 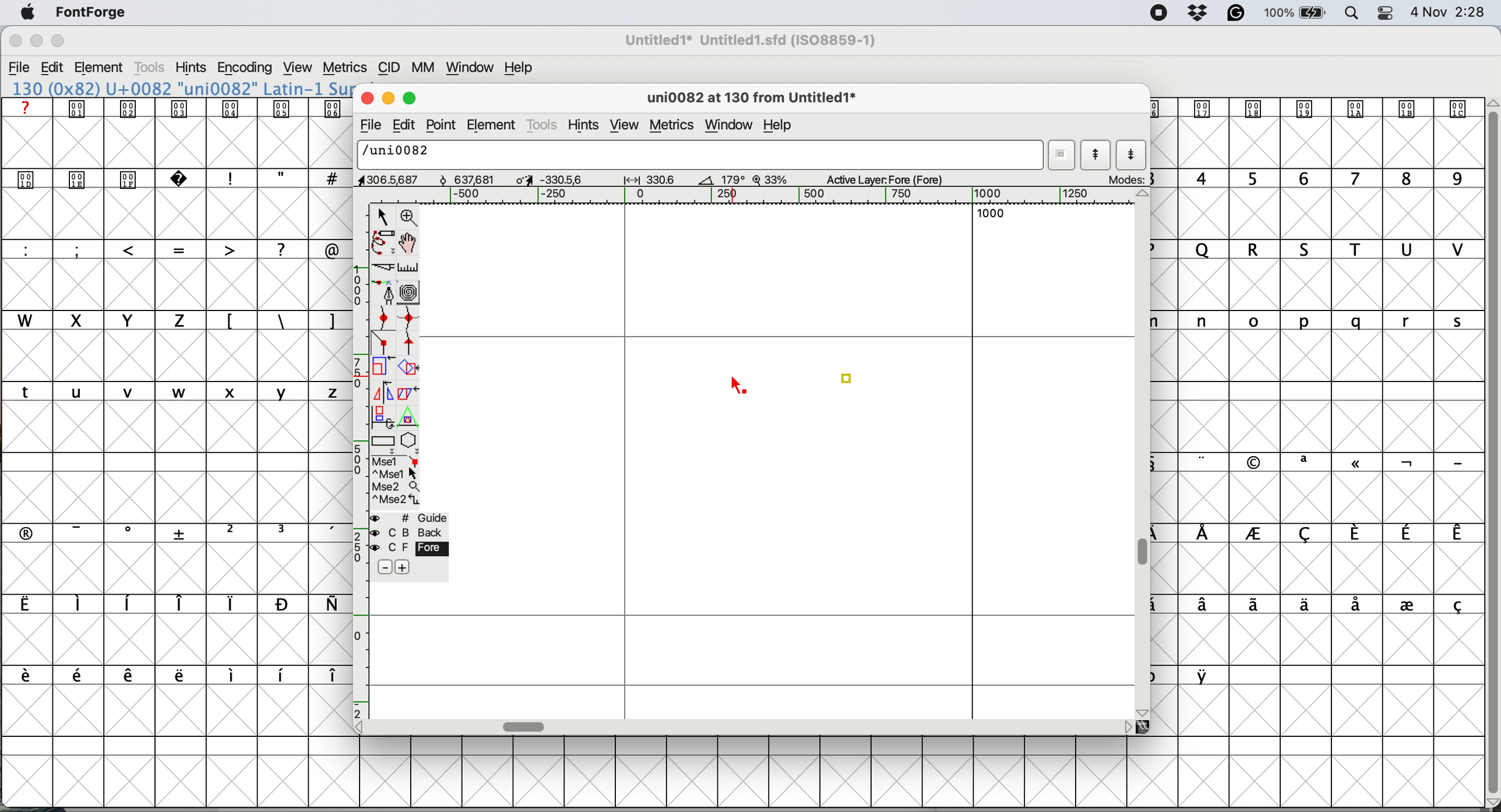 I want to click on edit, so click(x=52, y=68).